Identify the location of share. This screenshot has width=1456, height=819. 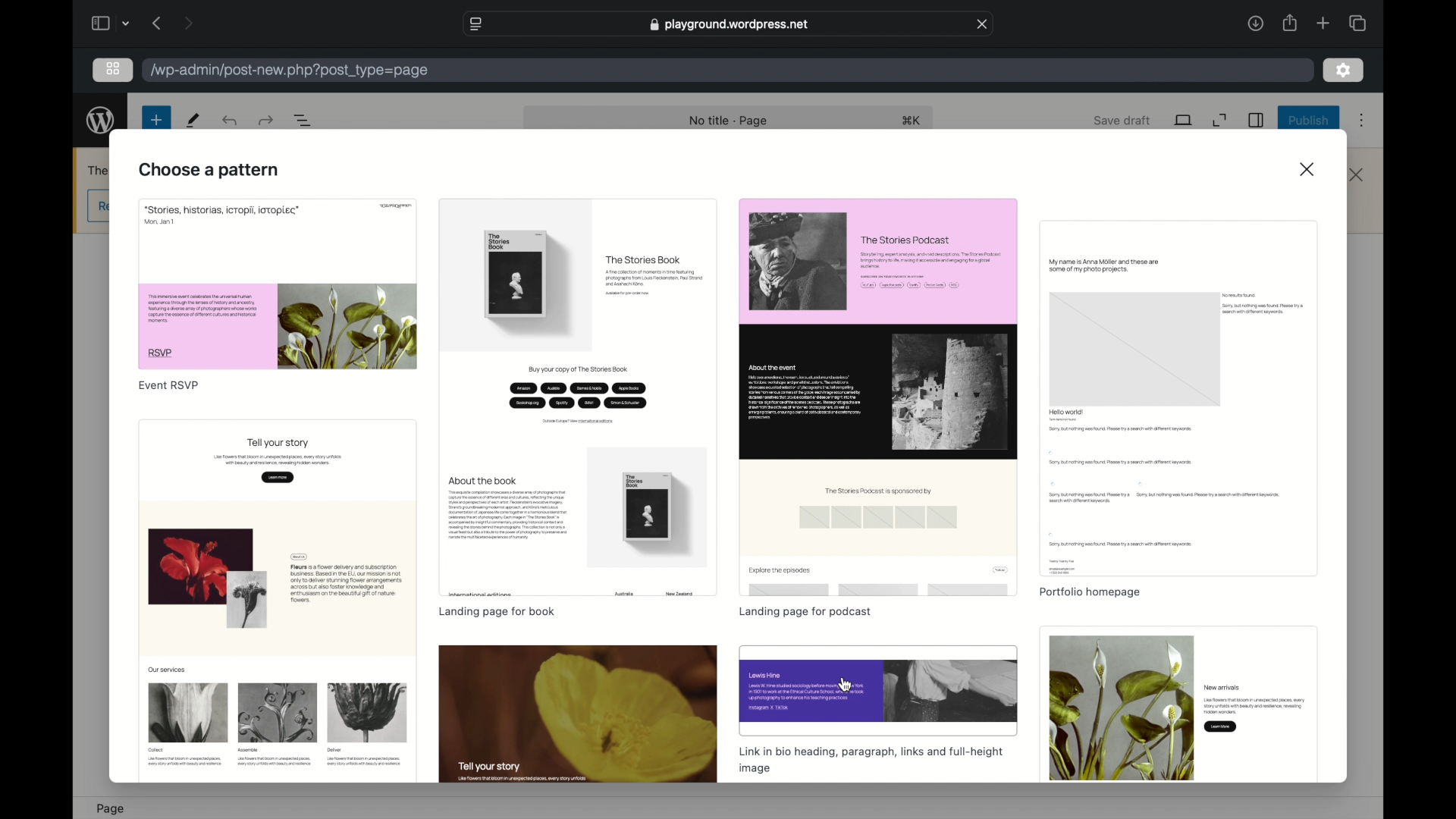
(1288, 24).